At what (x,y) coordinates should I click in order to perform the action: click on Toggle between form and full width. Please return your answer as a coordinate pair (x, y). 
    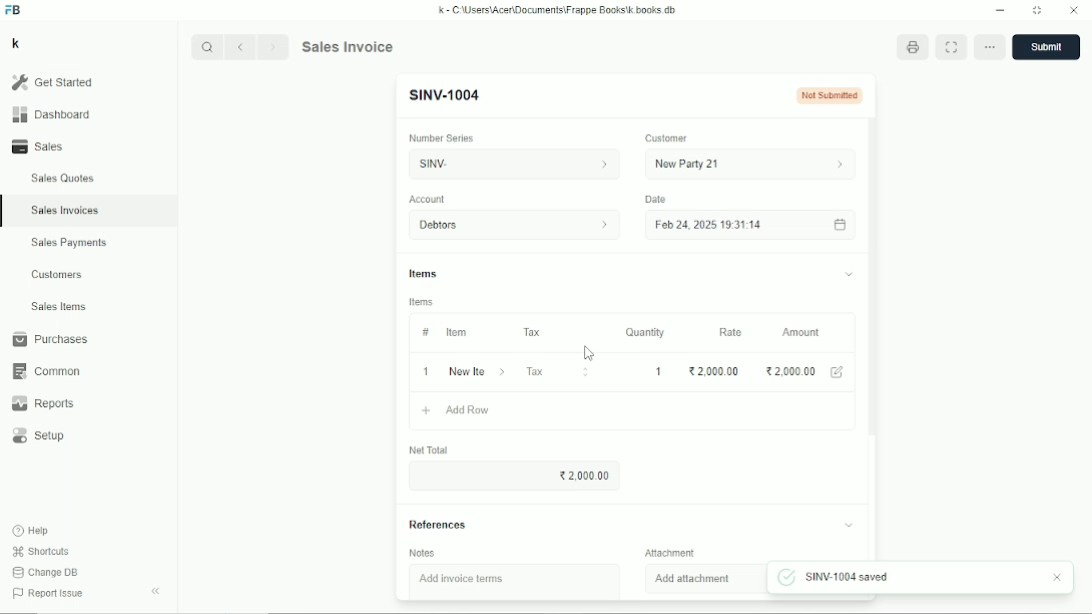
    Looking at the image, I should click on (1038, 11).